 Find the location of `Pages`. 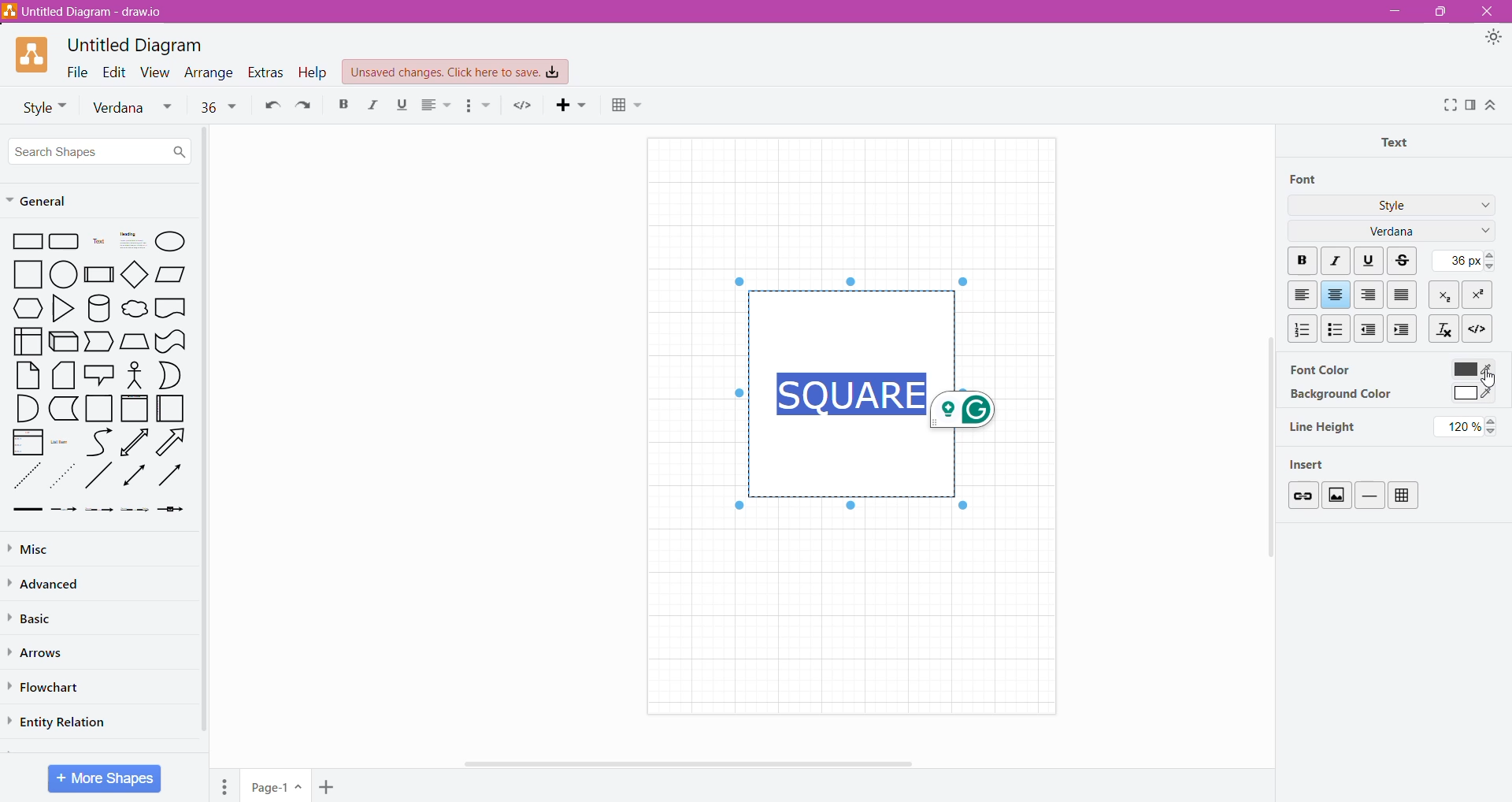

Pages is located at coordinates (225, 786).